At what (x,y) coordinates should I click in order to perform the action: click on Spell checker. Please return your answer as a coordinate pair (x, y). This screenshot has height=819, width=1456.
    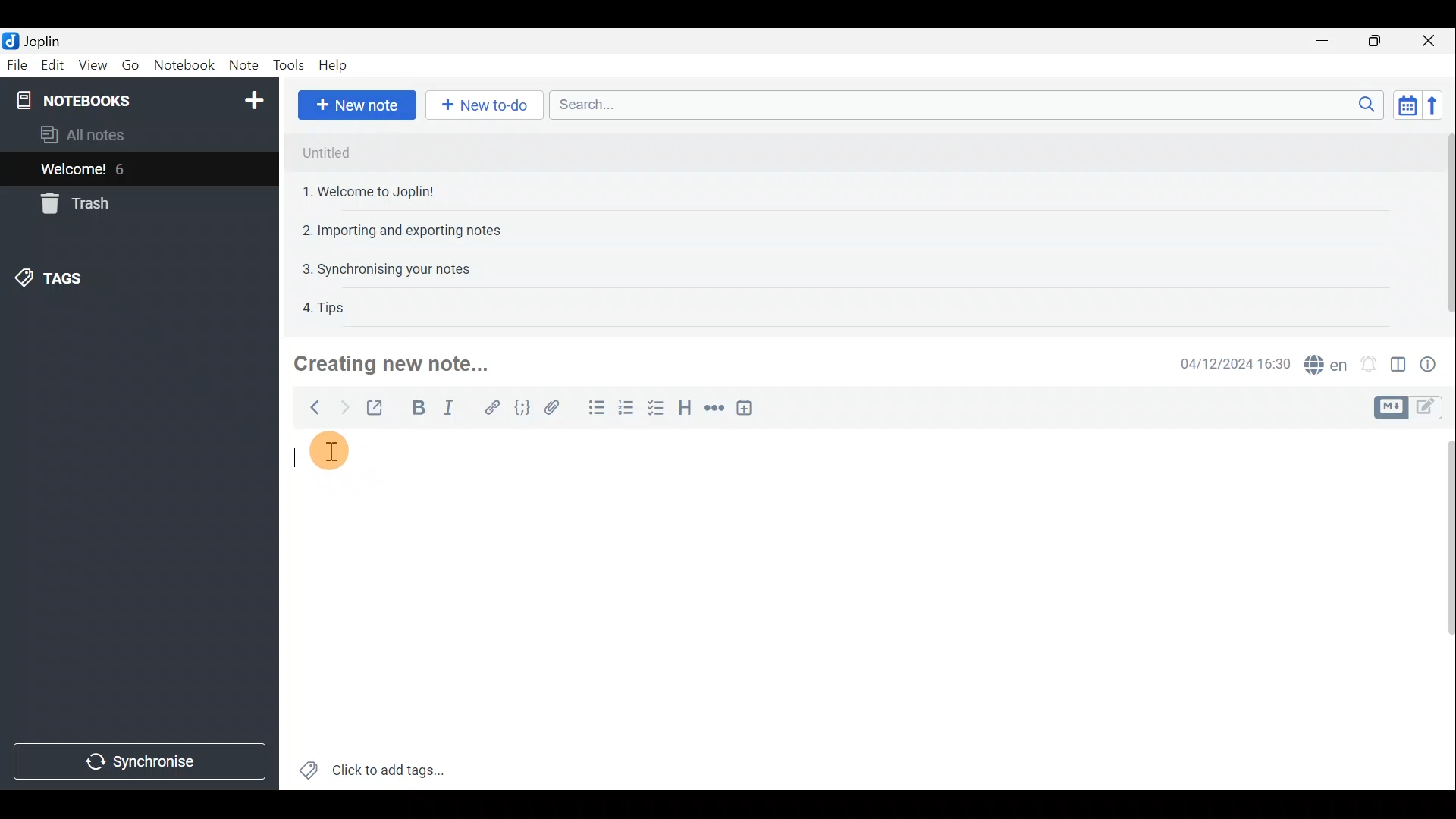
    Looking at the image, I should click on (1327, 362).